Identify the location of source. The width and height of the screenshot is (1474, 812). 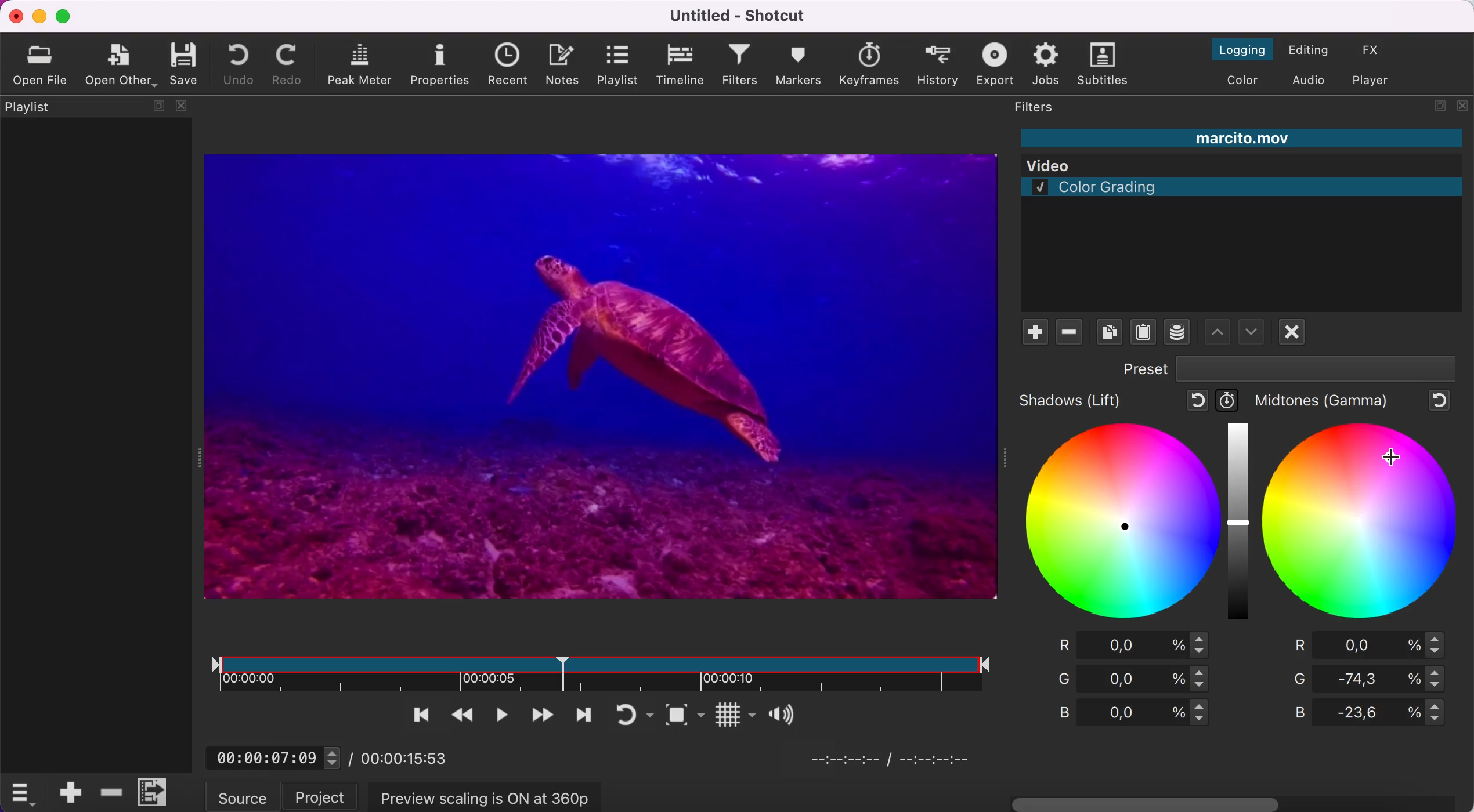
(243, 796).